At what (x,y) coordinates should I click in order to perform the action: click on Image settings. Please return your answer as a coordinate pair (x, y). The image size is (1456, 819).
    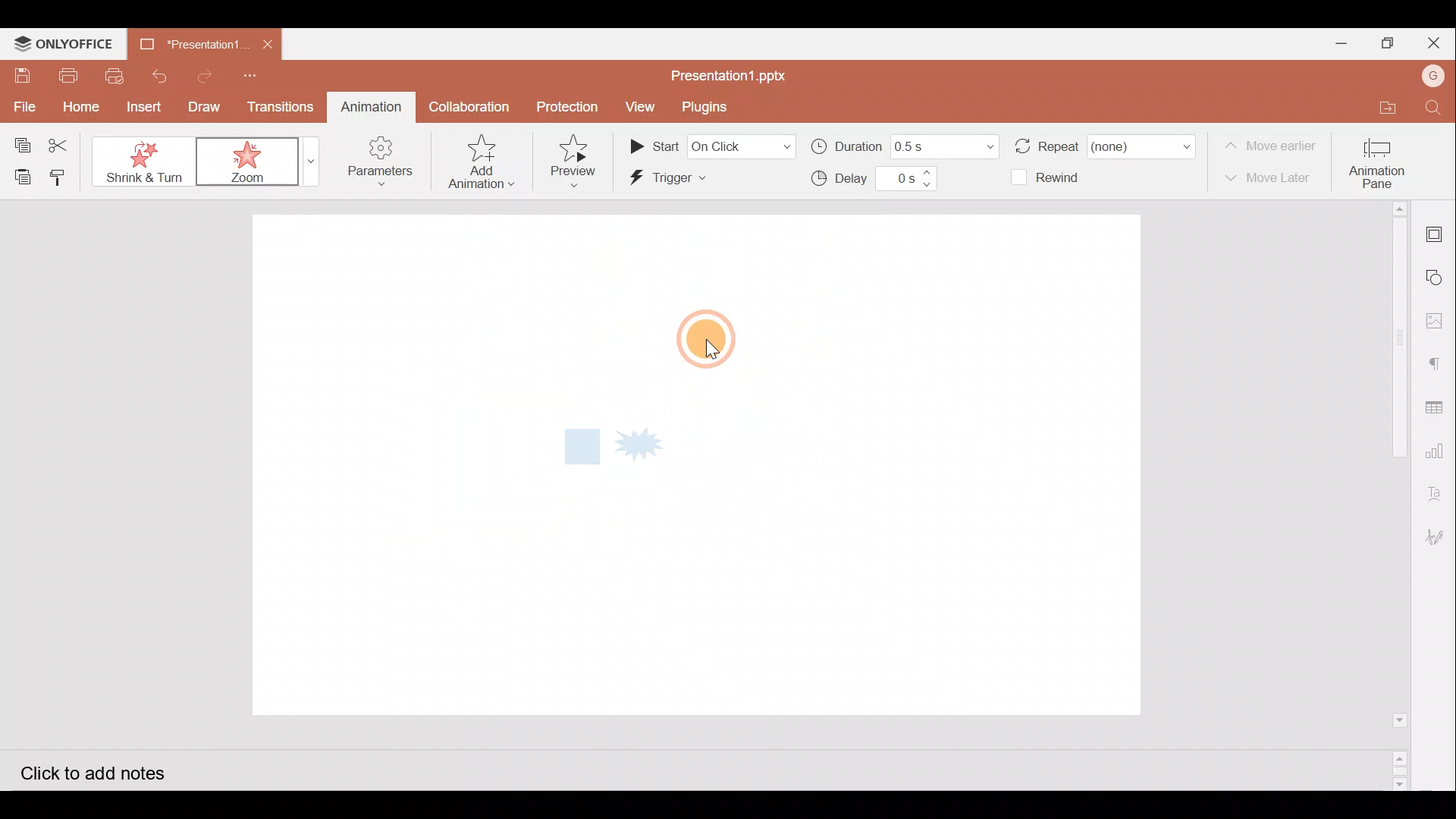
    Looking at the image, I should click on (1439, 325).